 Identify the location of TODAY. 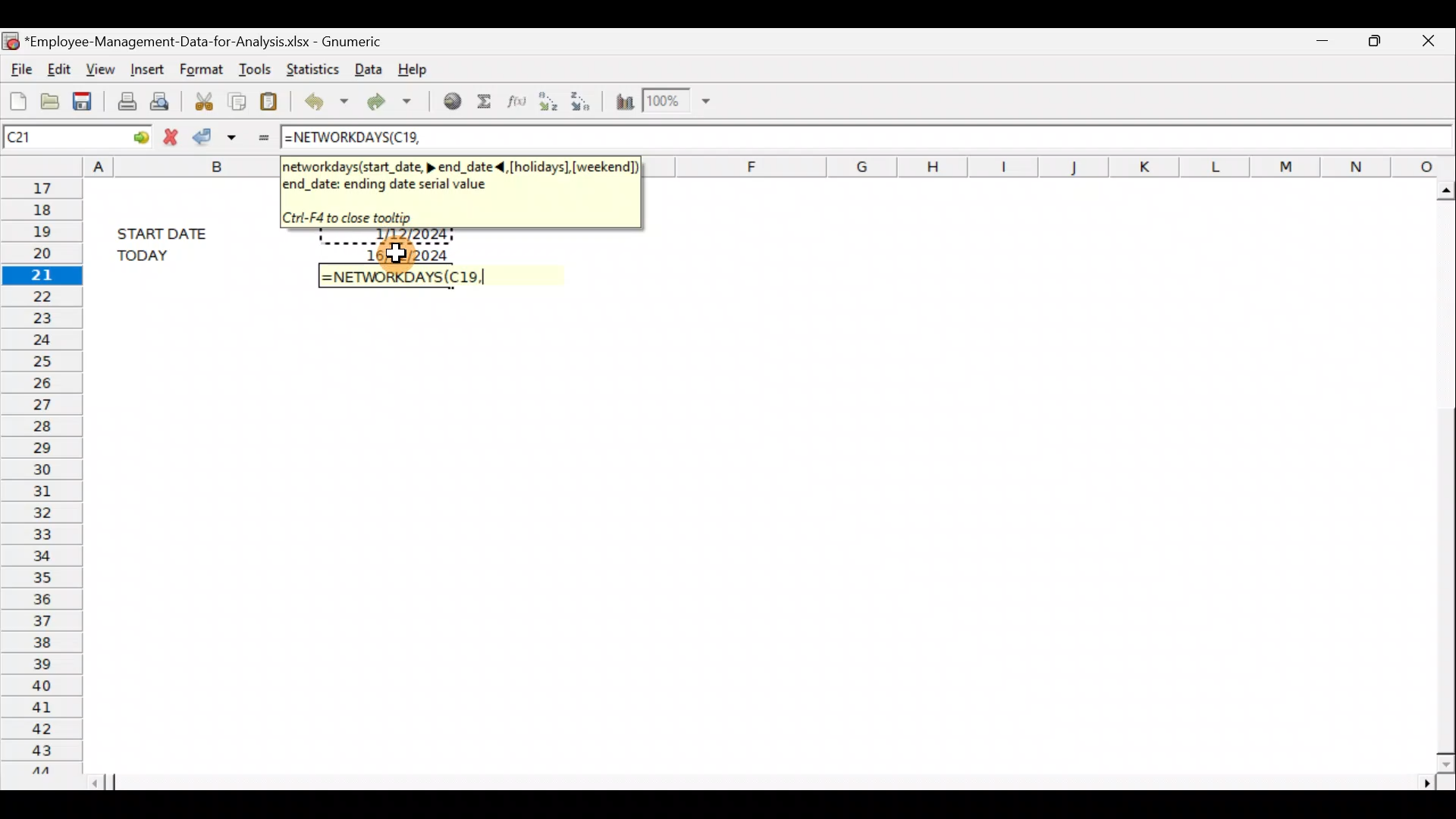
(168, 255).